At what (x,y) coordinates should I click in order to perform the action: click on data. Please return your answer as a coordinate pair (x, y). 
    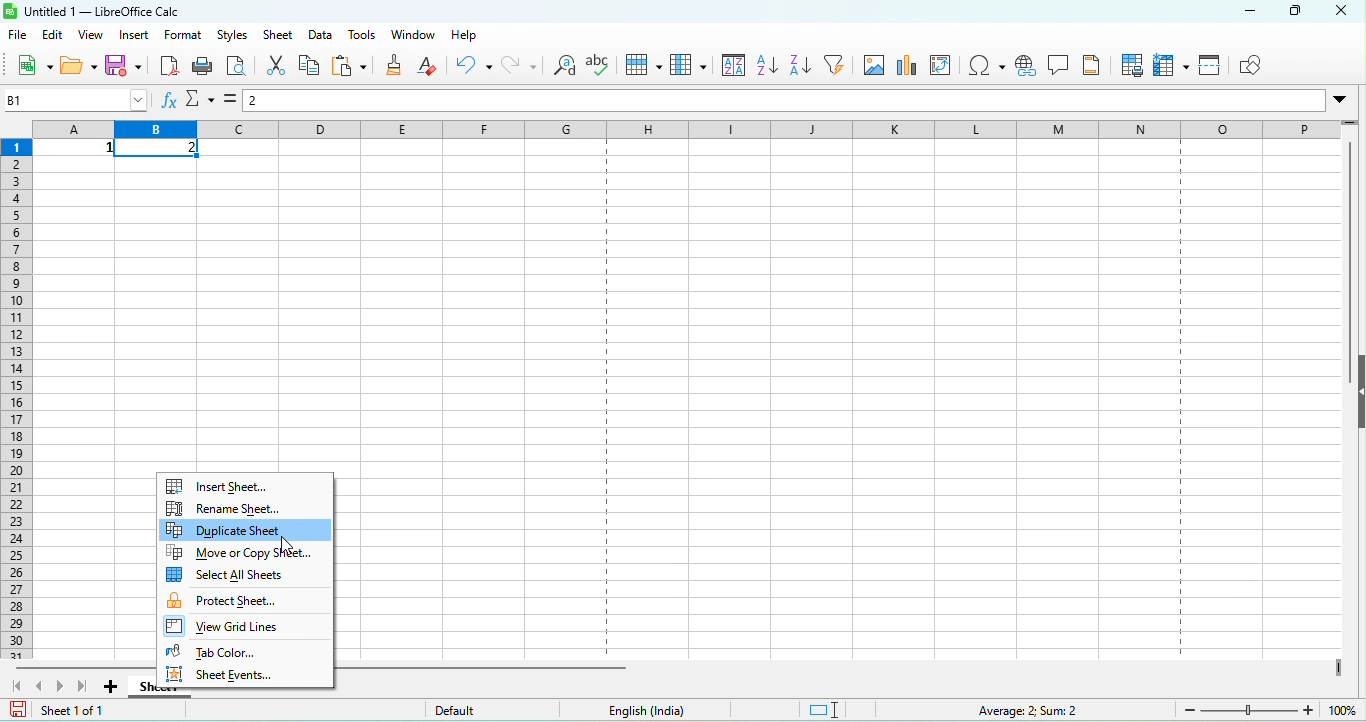
    Looking at the image, I should click on (322, 33).